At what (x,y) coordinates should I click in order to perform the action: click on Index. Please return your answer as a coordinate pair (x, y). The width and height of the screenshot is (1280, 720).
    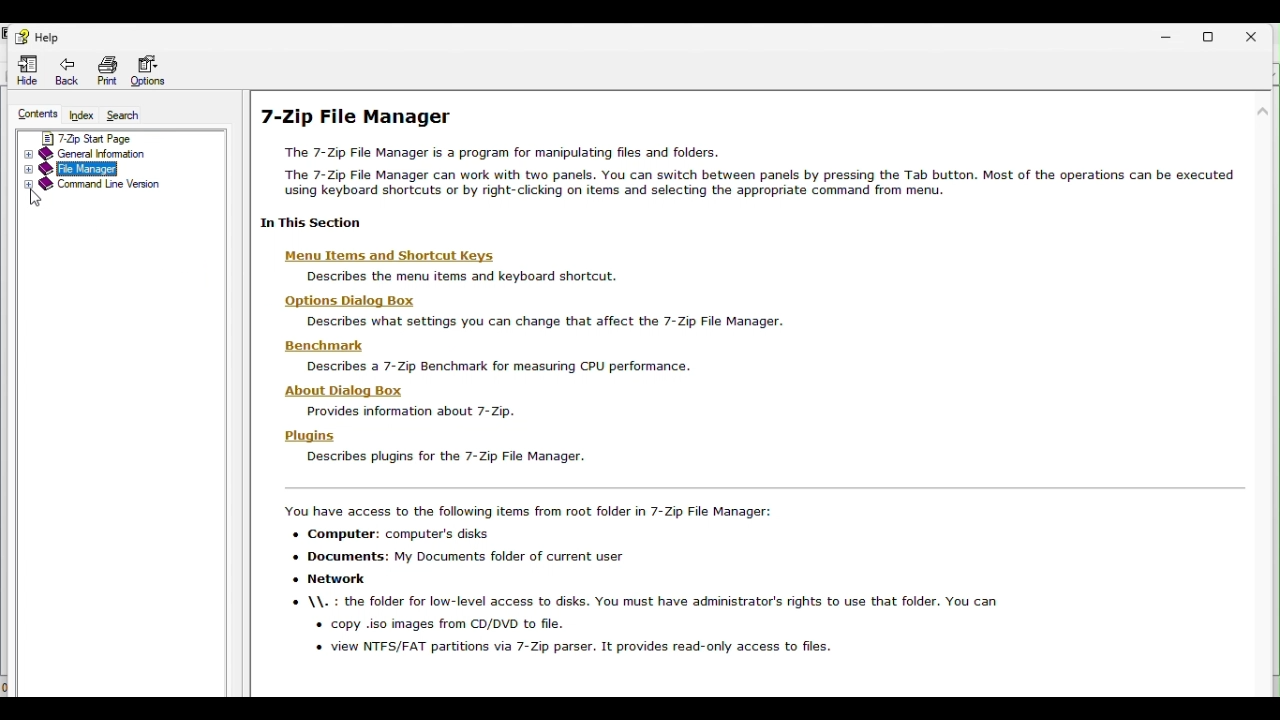
    Looking at the image, I should click on (83, 116).